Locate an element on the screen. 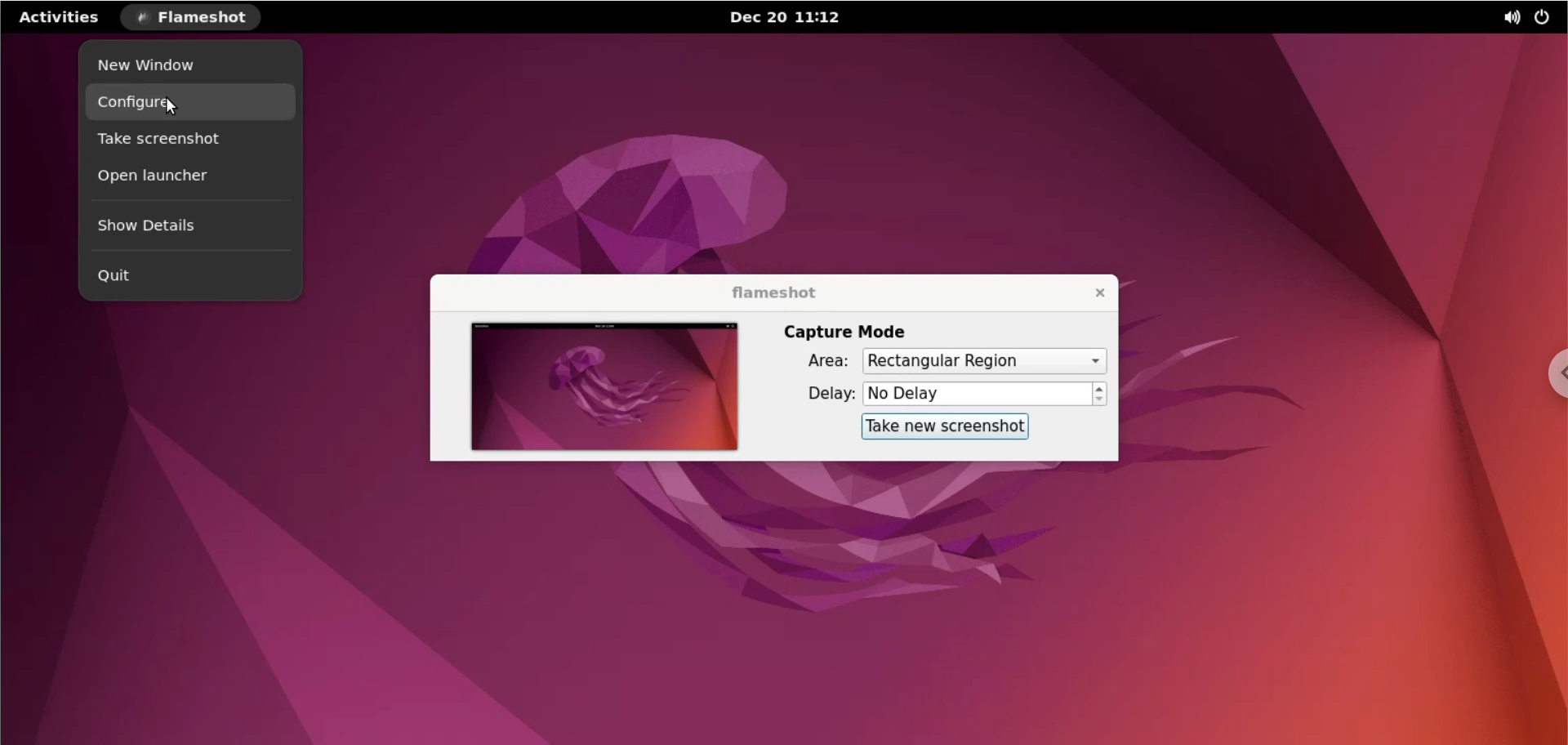 This screenshot has height=745, width=1568. new window is located at coordinates (184, 66).